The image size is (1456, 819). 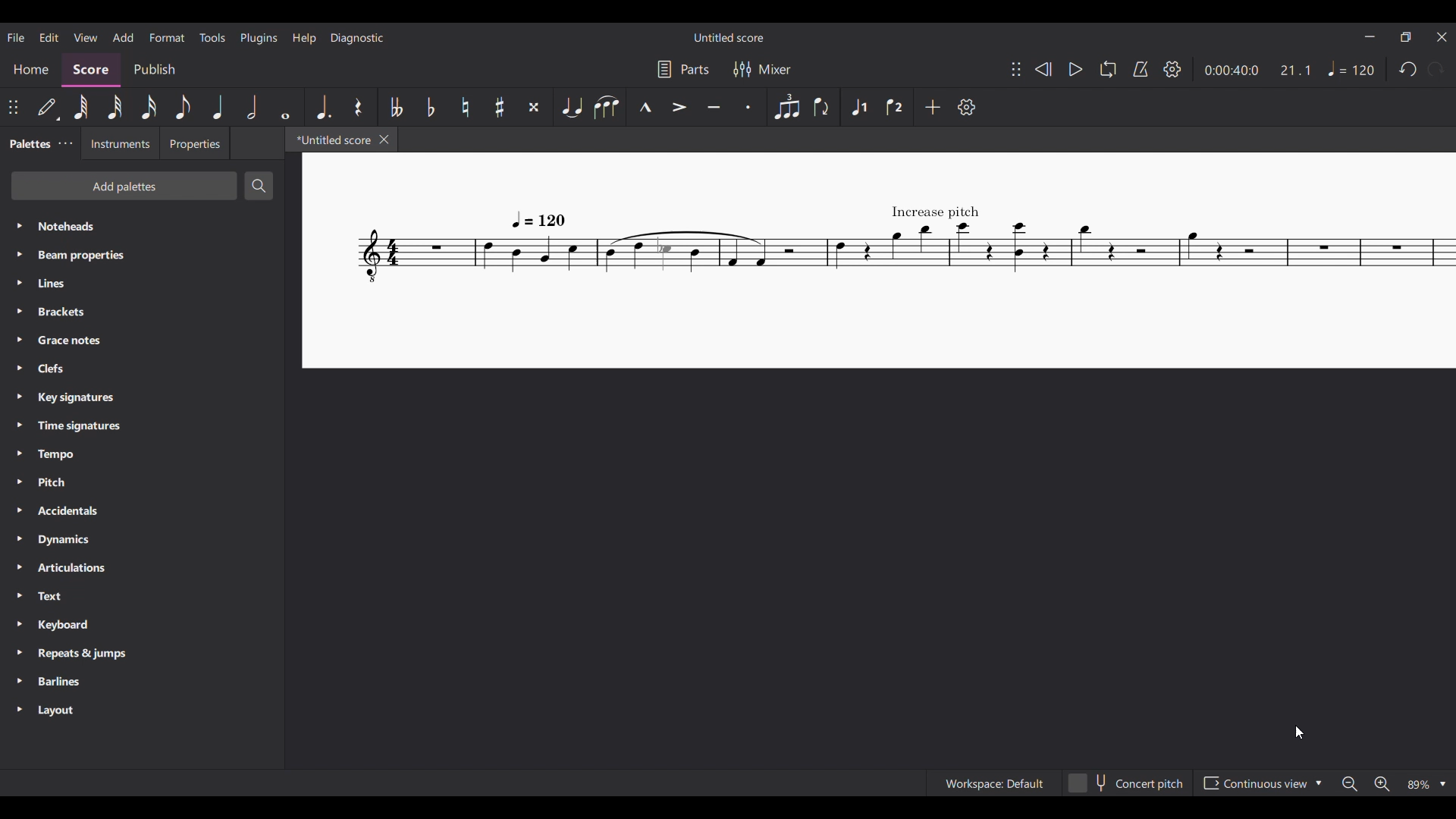 What do you see at coordinates (1409, 69) in the screenshot?
I see `Undo` at bounding box center [1409, 69].